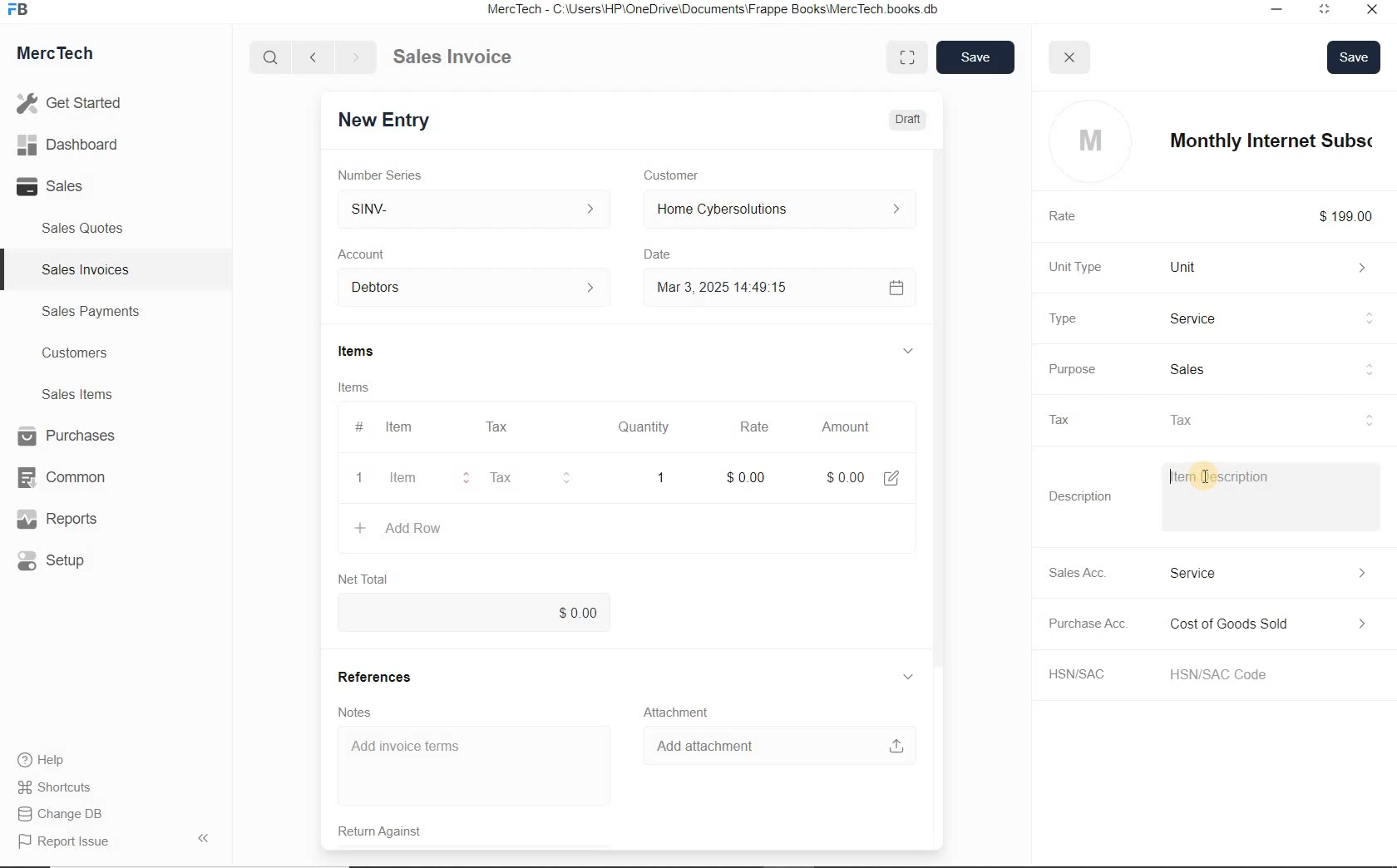  Describe the element at coordinates (1059, 217) in the screenshot. I see `Rate` at that location.